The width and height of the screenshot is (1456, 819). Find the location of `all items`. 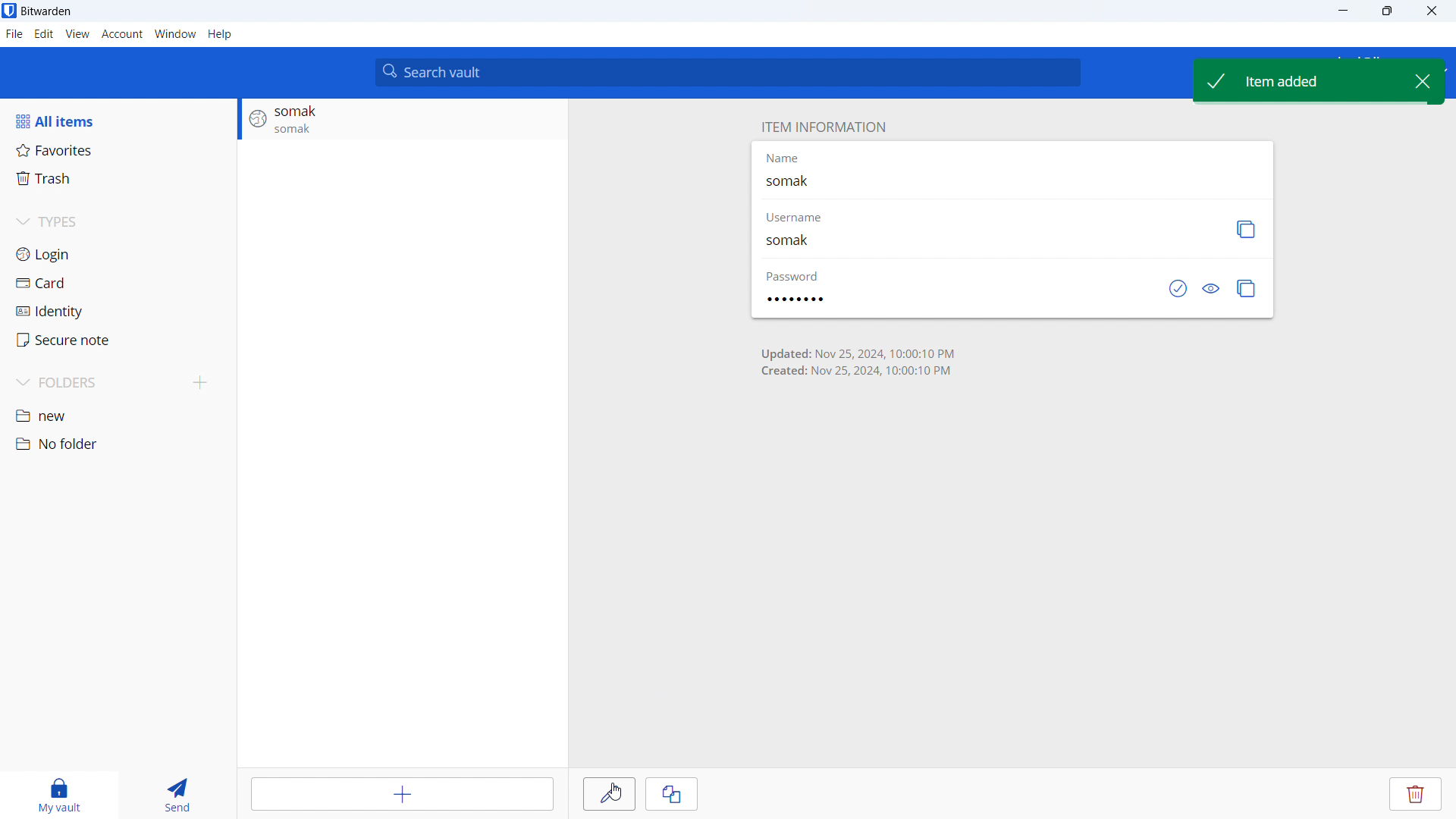

all items is located at coordinates (118, 121).